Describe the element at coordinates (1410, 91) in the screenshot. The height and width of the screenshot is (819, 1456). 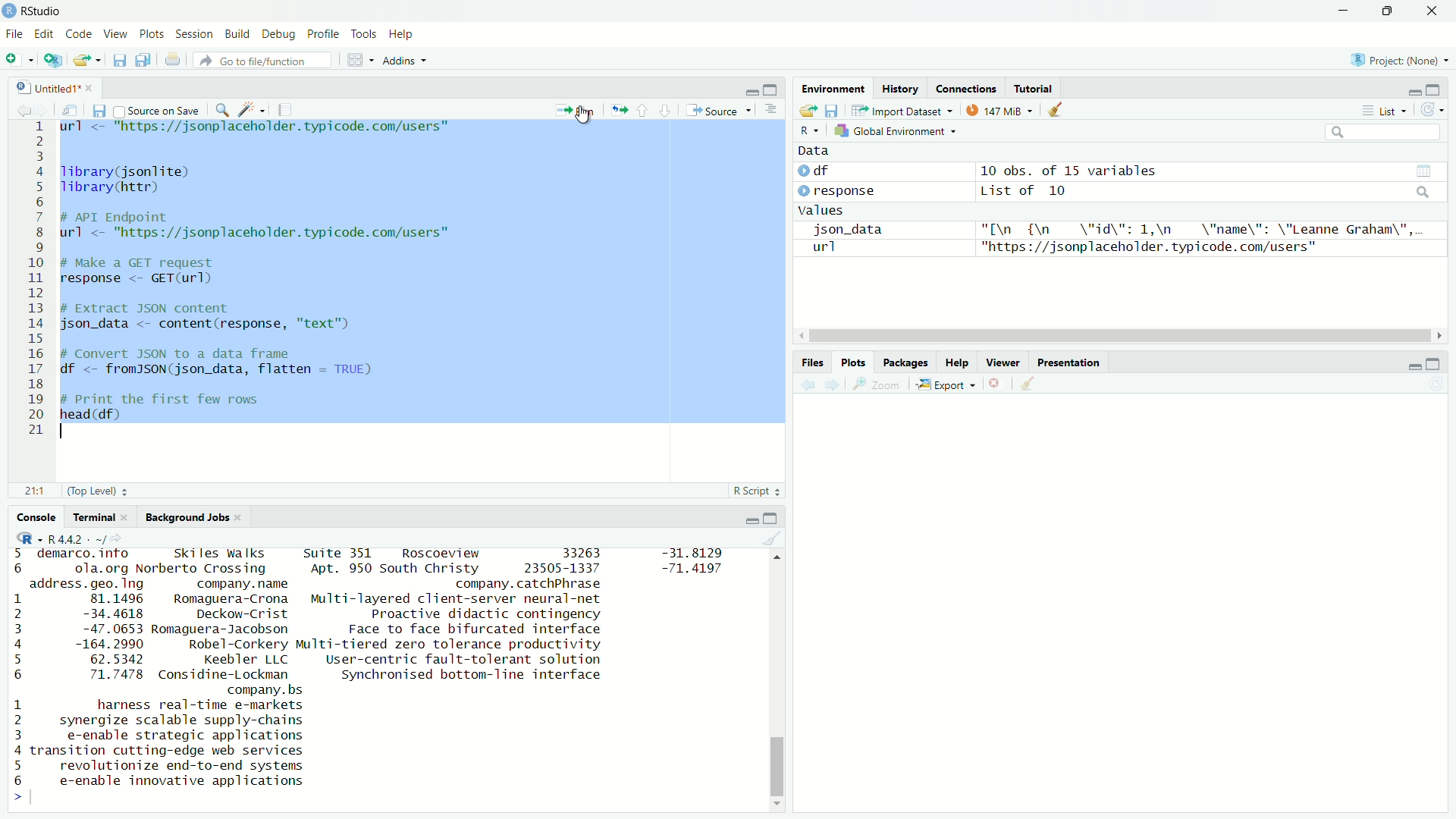
I see `Minimize` at that location.